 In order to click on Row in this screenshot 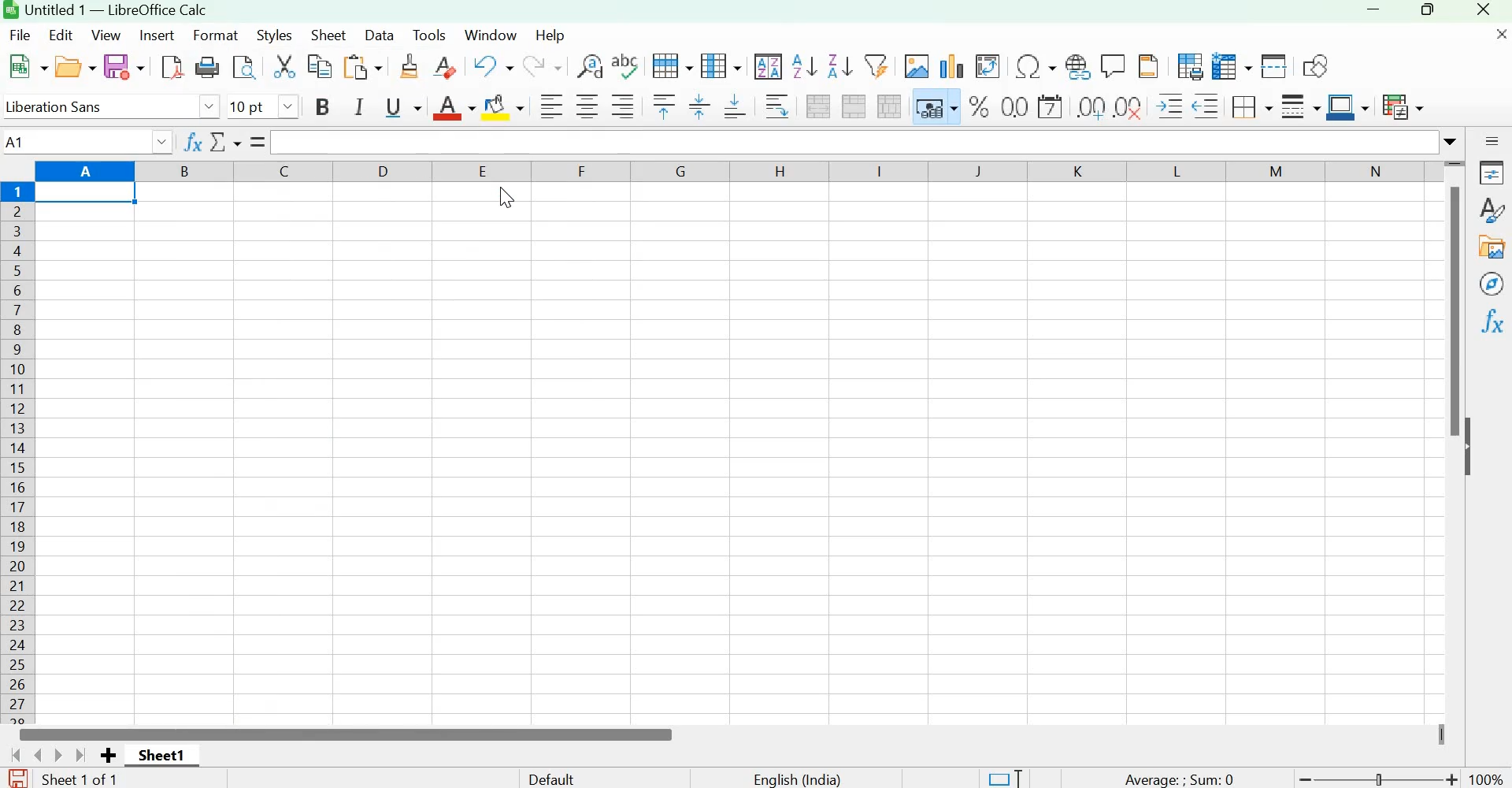, I will do `click(673, 65)`.